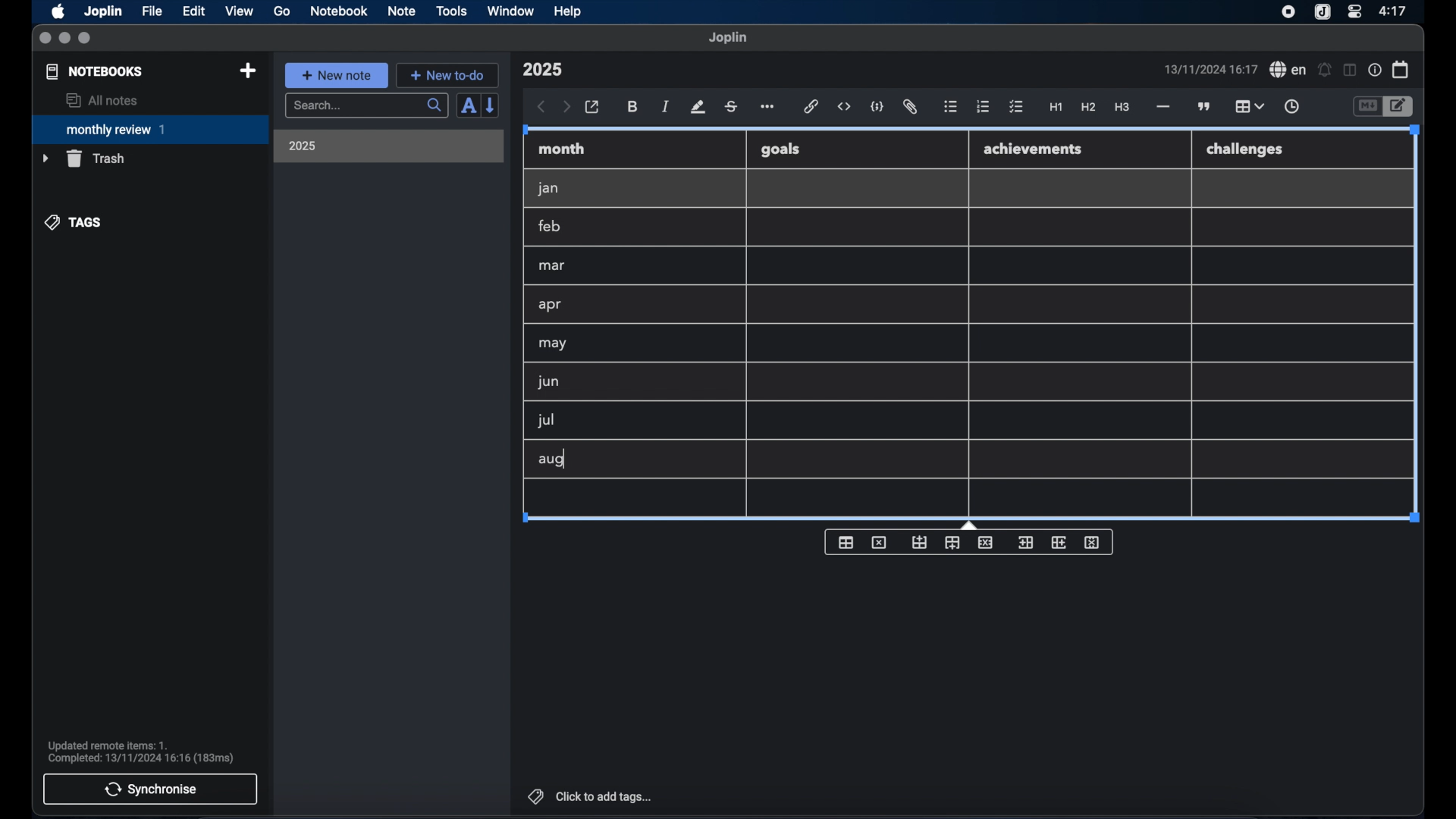 This screenshot has height=819, width=1456. I want to click on all notes, so click(102, 100).